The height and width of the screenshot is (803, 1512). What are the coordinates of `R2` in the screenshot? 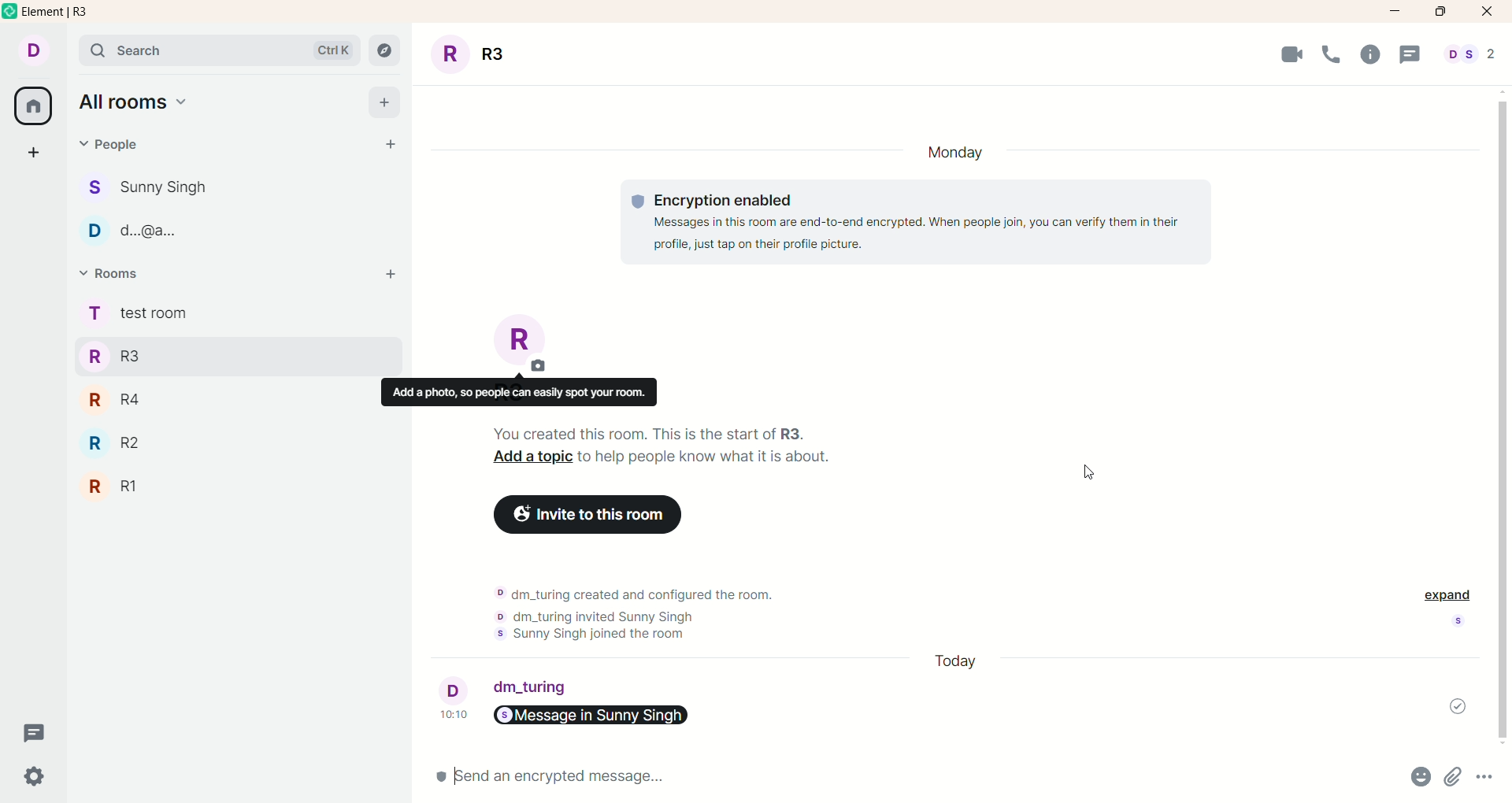 It's located at (123, 445).